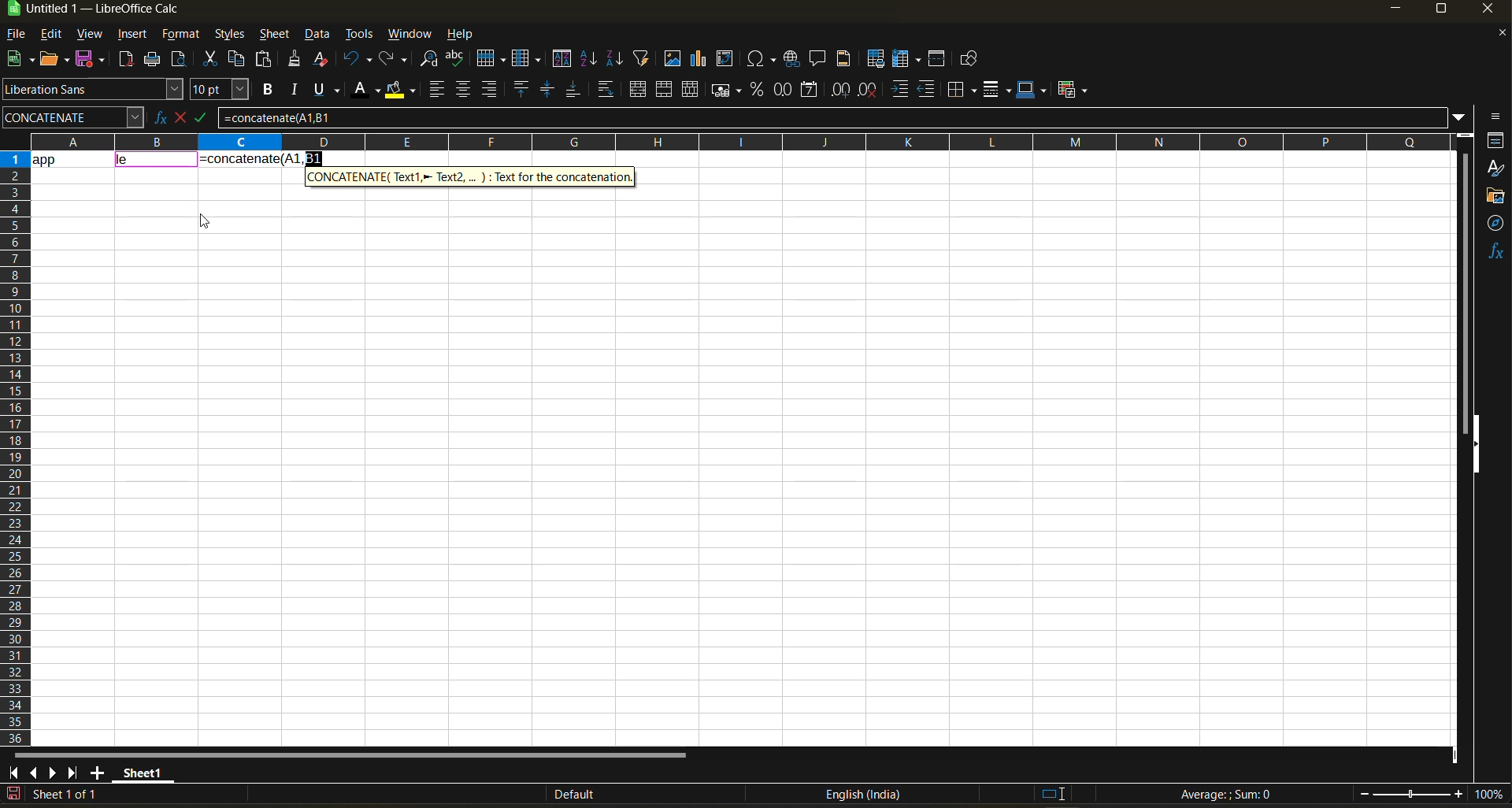  Describe the element at coordinates (56, 60) in the screenshot. I see `open` at that location.